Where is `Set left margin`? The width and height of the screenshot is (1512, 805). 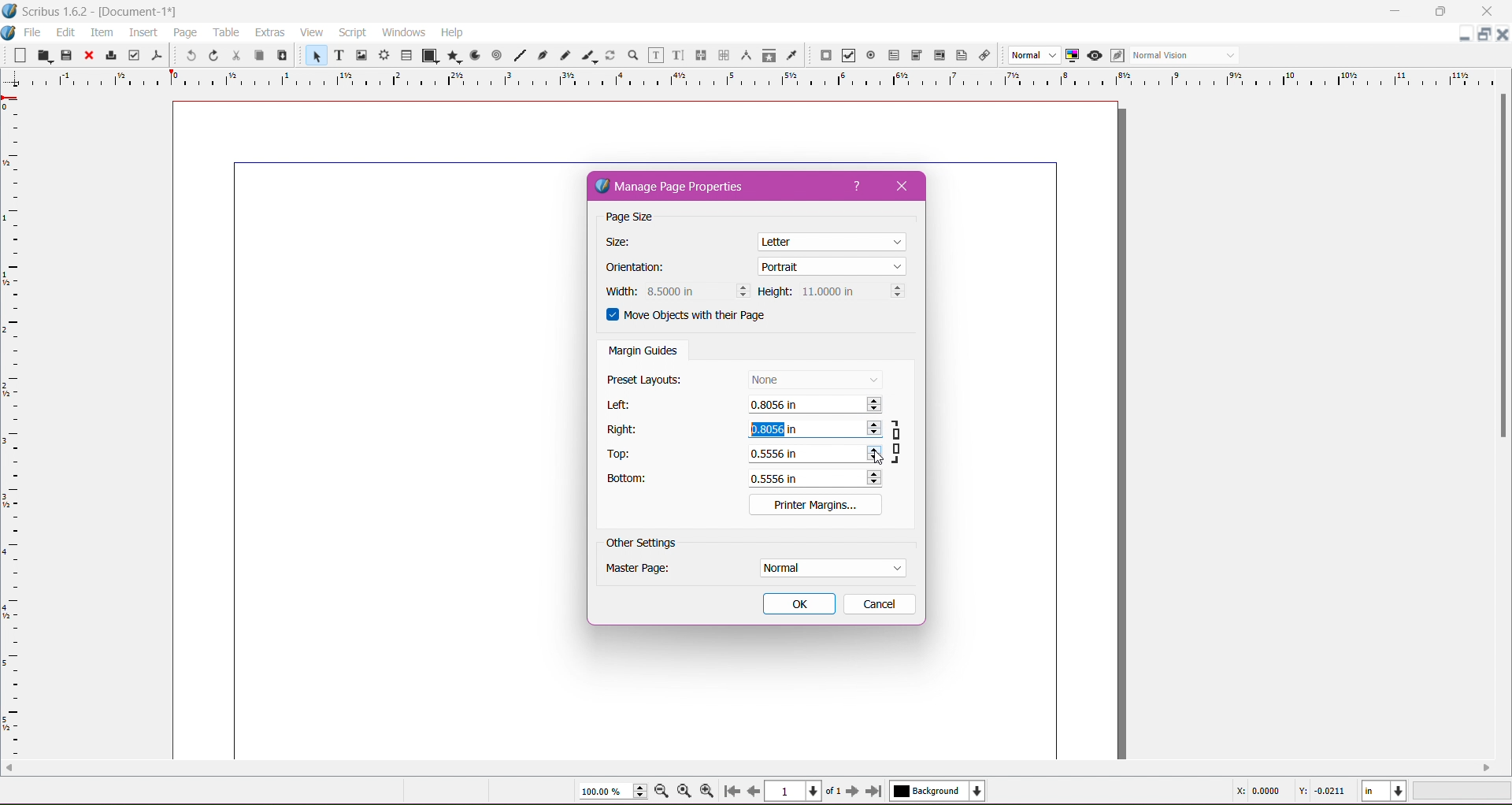 Set left margin is located at coordinates (815, 406).